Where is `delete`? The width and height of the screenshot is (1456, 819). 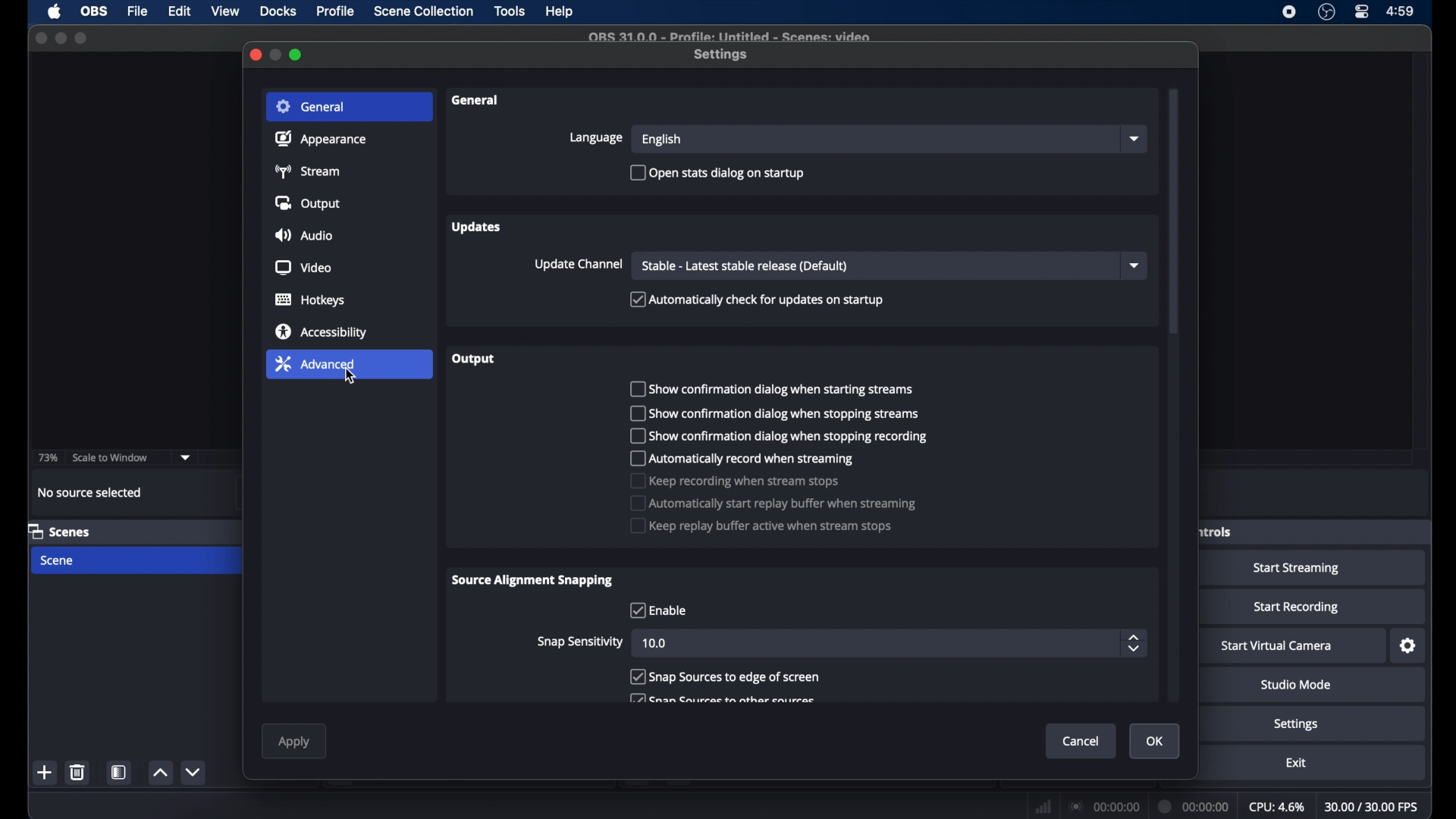 delete is located at coordinates (78, 772).